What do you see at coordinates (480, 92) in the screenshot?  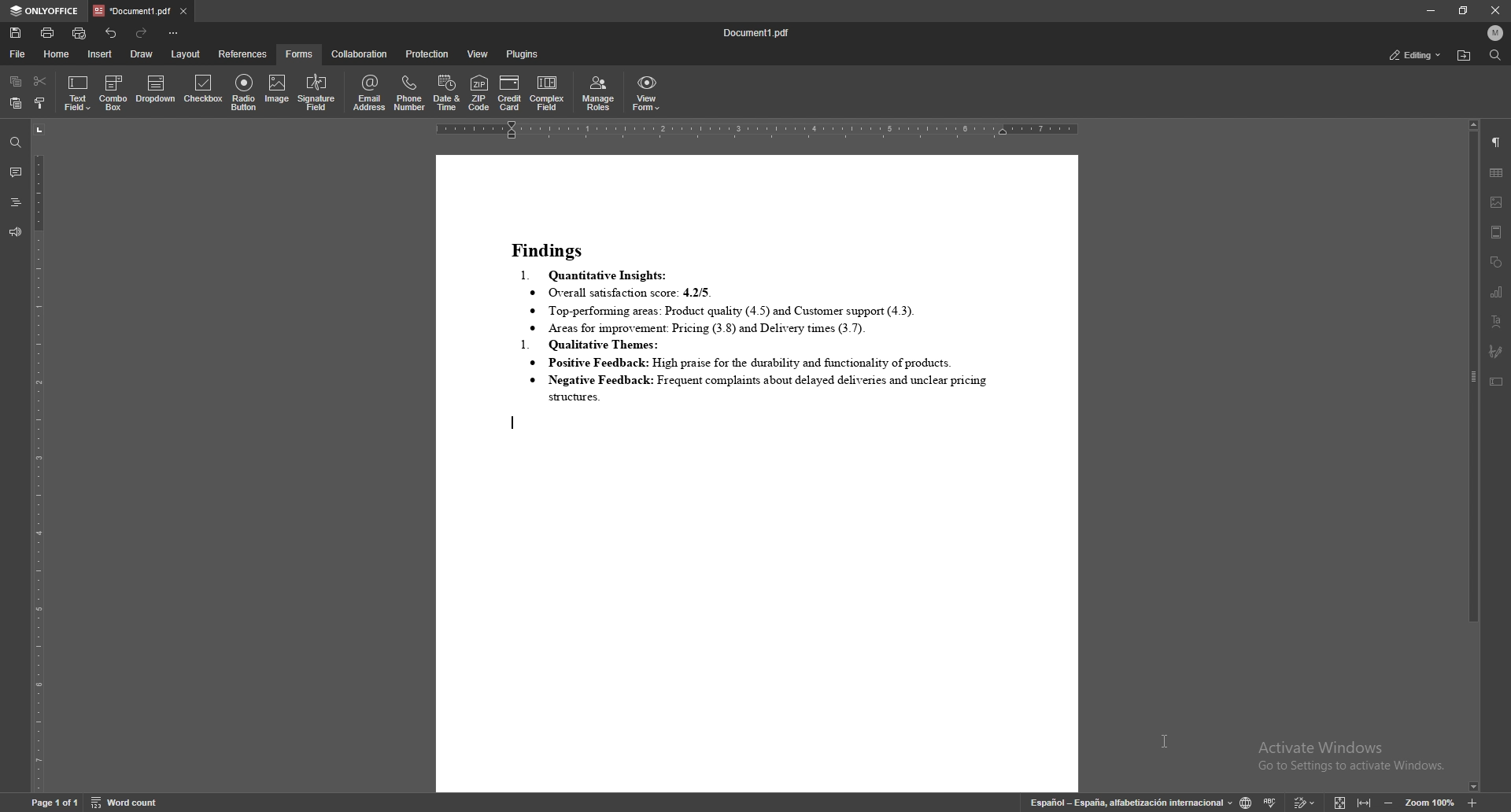 I see `zip code` at bounding box center [480, 92].